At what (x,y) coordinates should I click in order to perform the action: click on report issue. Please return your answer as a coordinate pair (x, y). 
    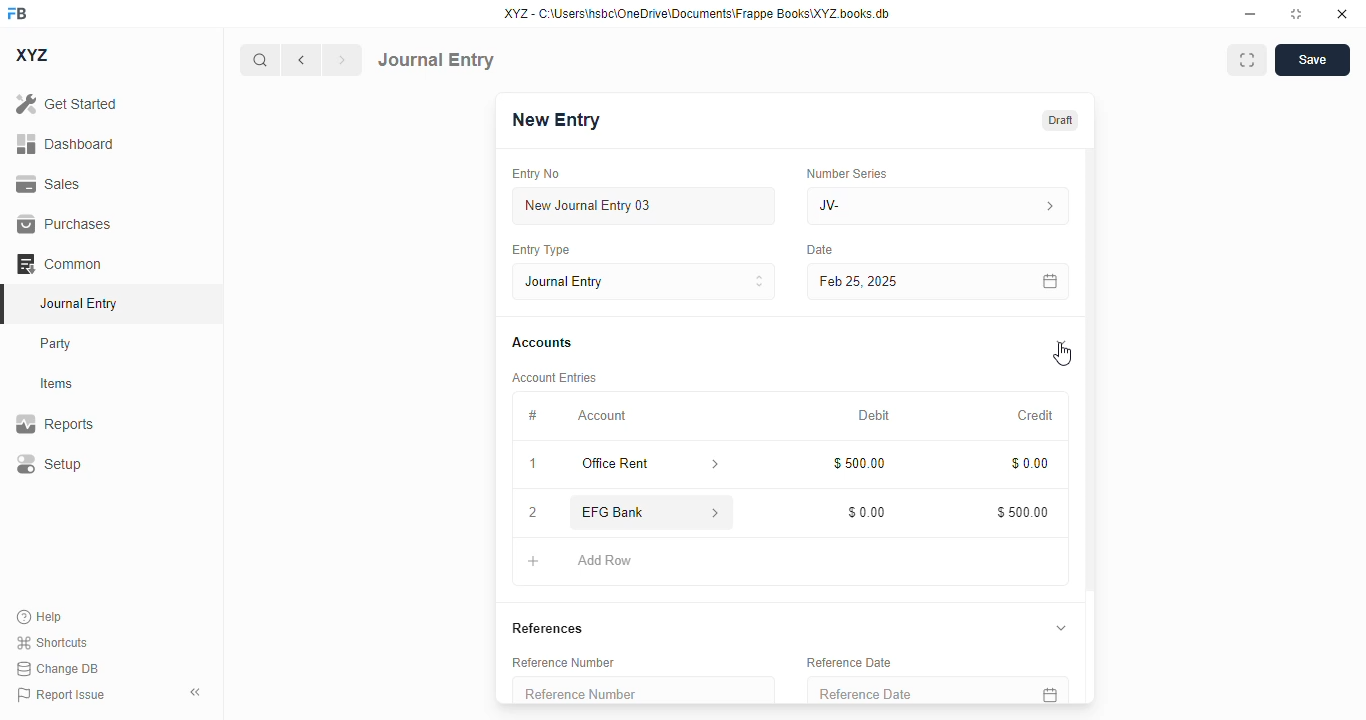
    Looking at the image, I should click on (61, 695).